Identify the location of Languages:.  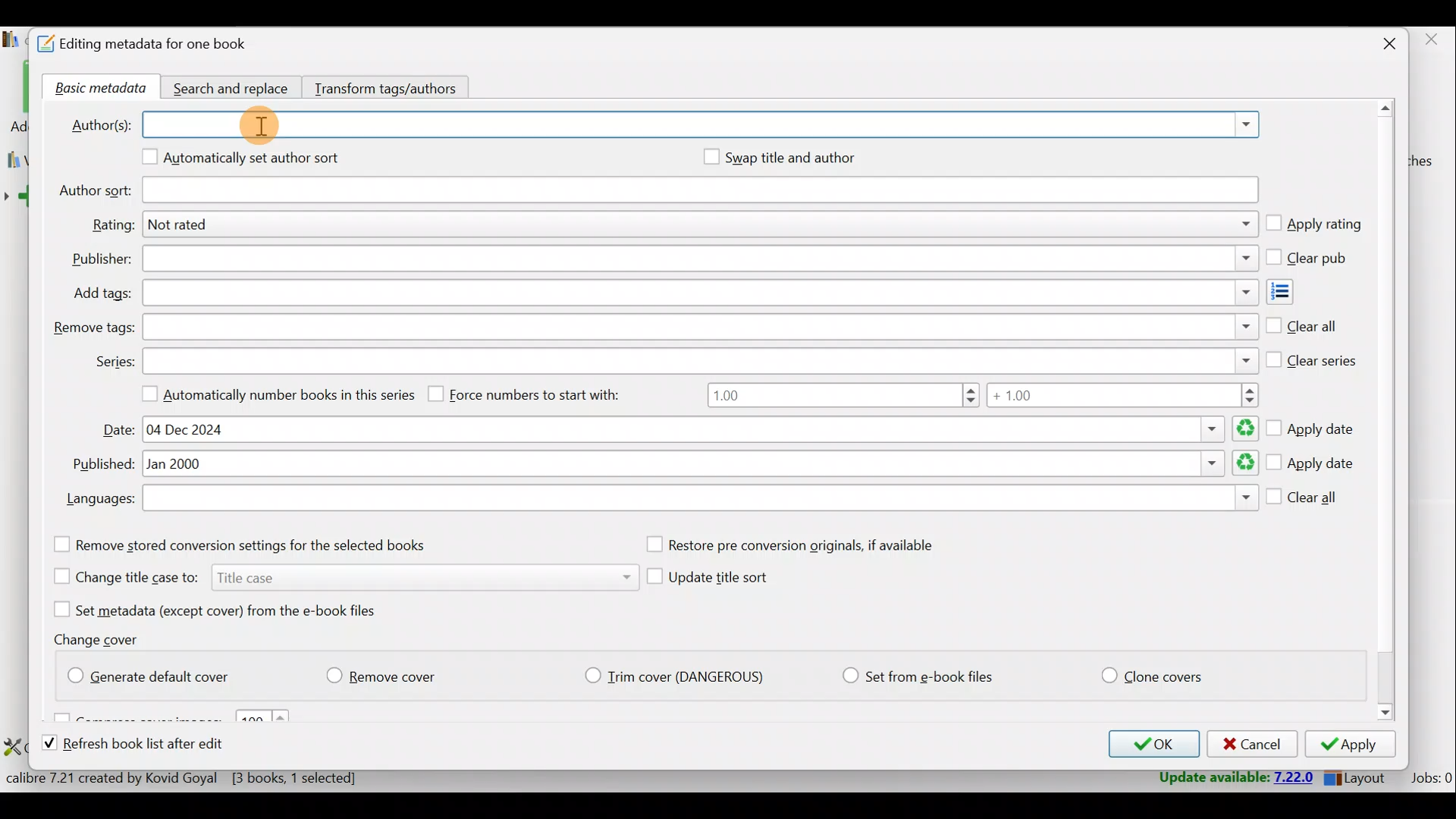
(99, 500).